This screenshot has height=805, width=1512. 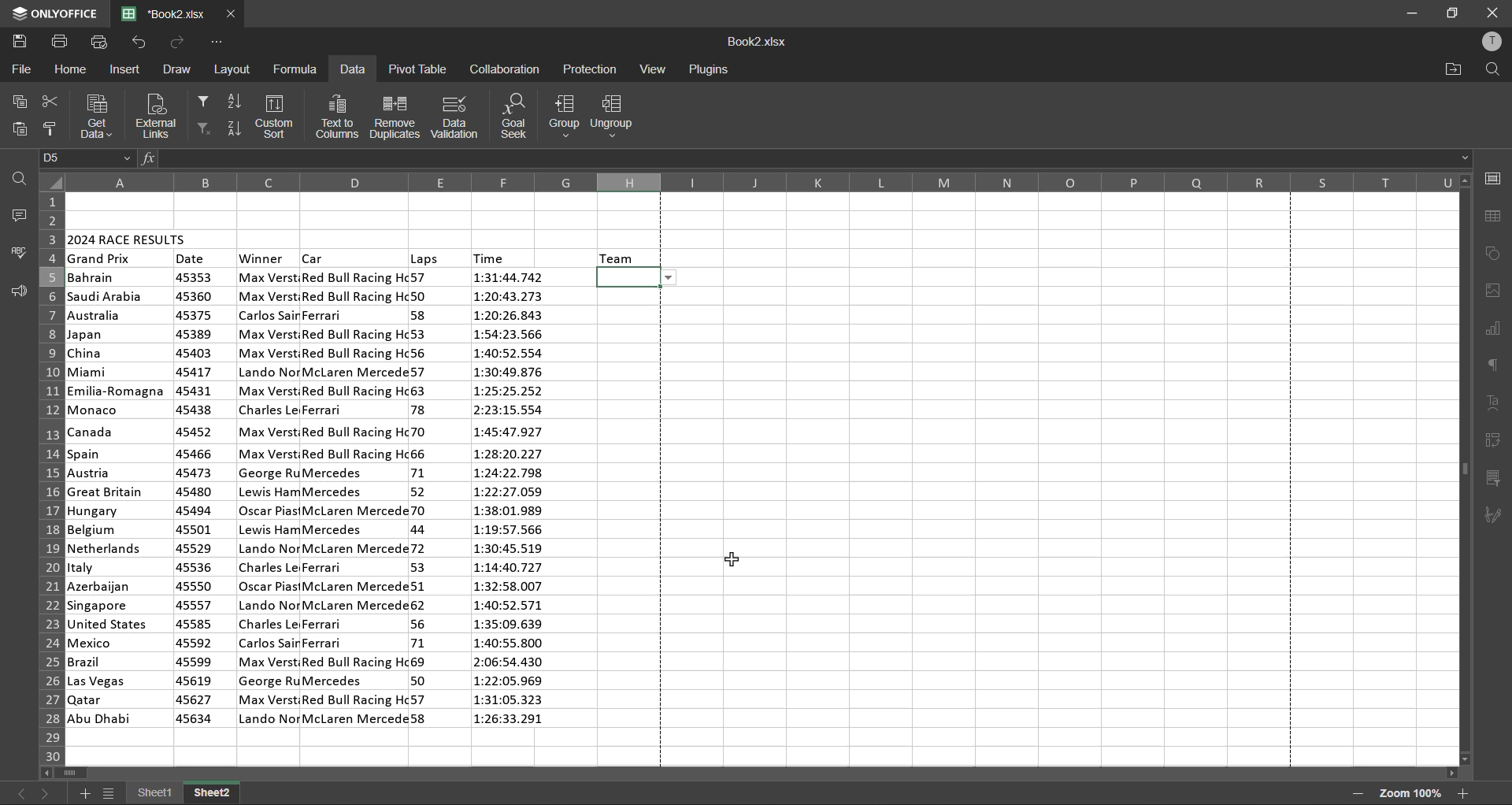 I want to click on sheet names, so click(x=184, y=795).